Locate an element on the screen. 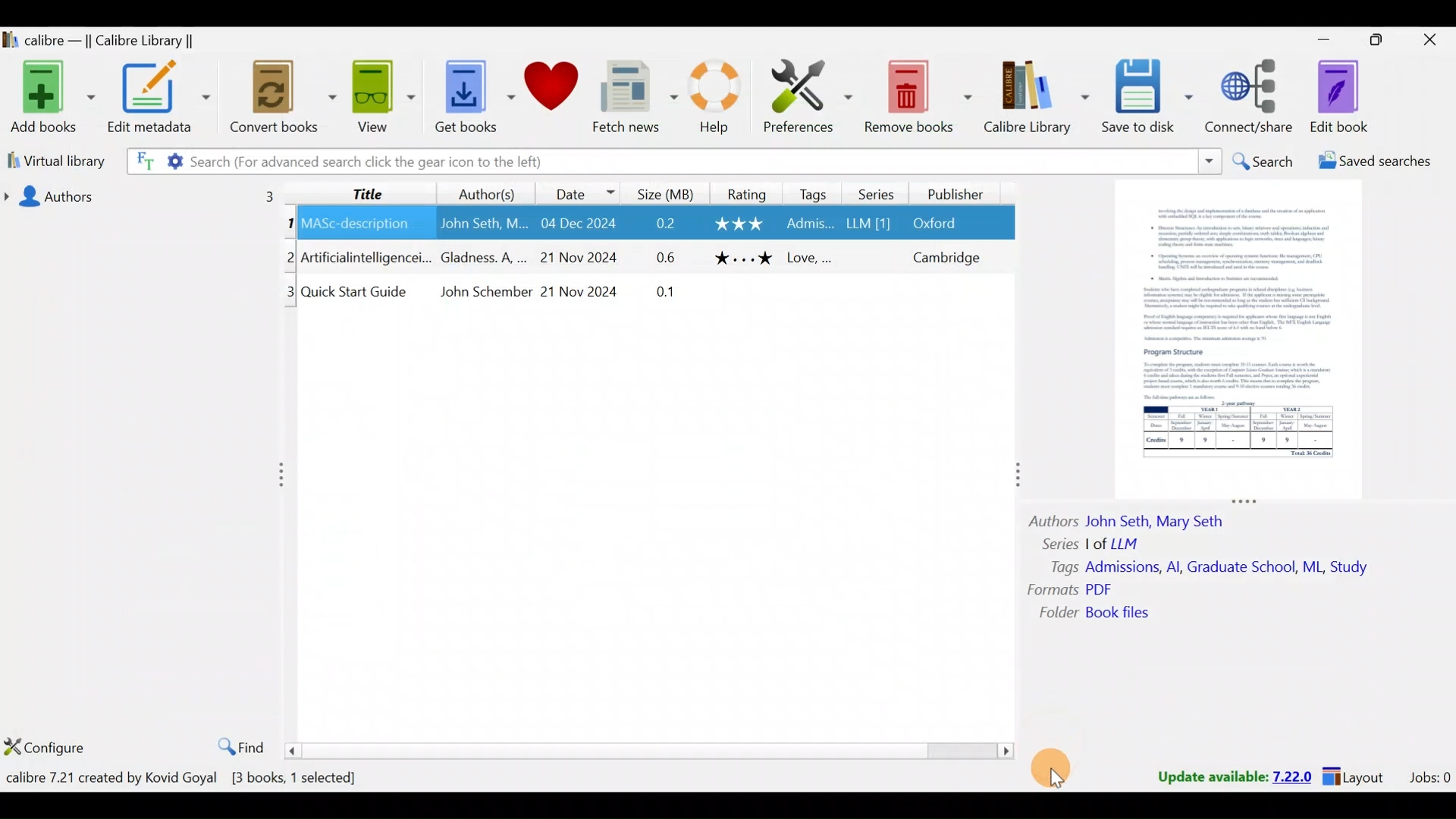 The height and width of the screenshot is (819, 1456).  is located at coordinates (946, 223).